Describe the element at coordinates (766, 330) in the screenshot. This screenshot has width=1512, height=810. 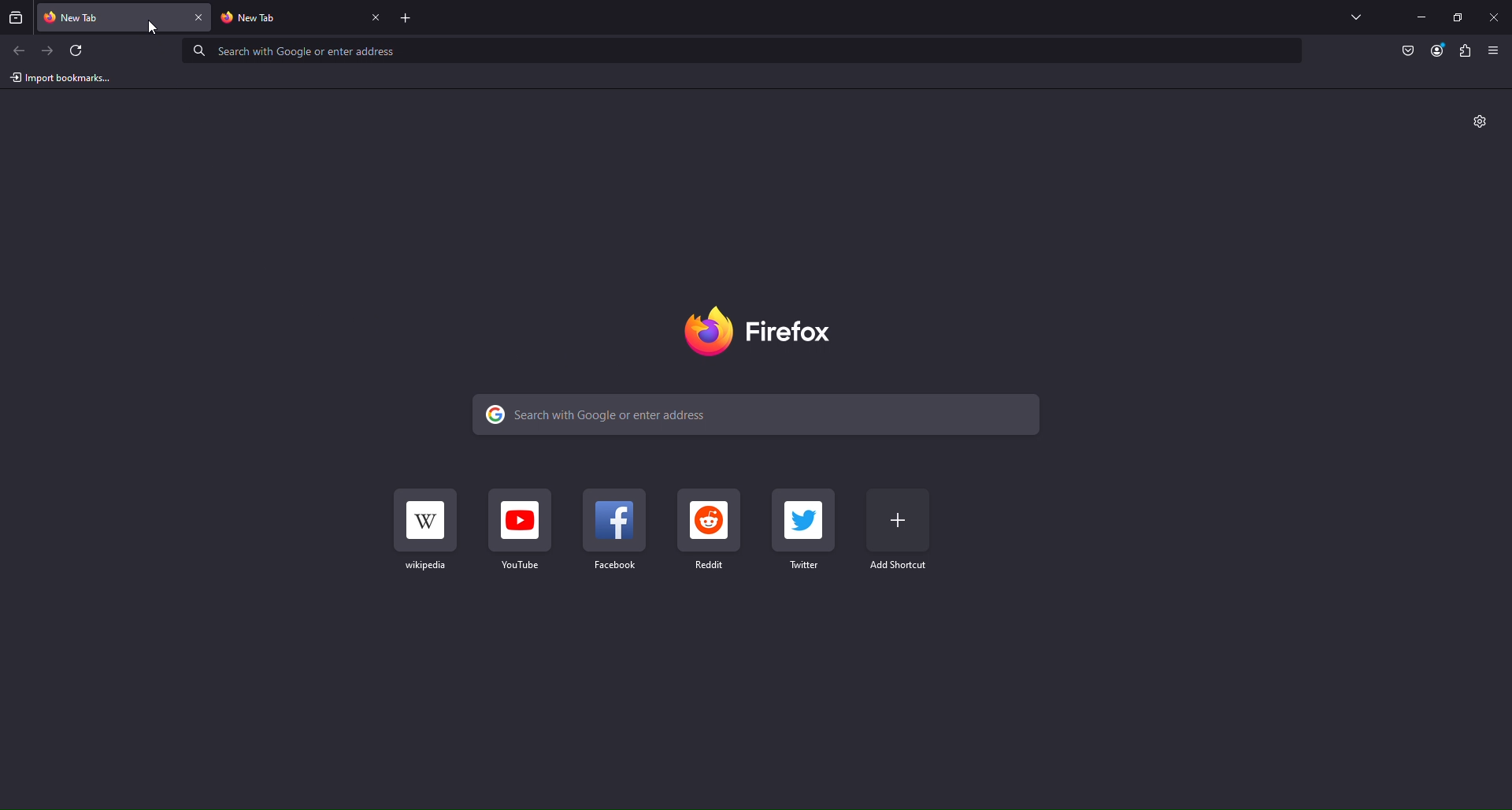
I see `Logo` at that location.